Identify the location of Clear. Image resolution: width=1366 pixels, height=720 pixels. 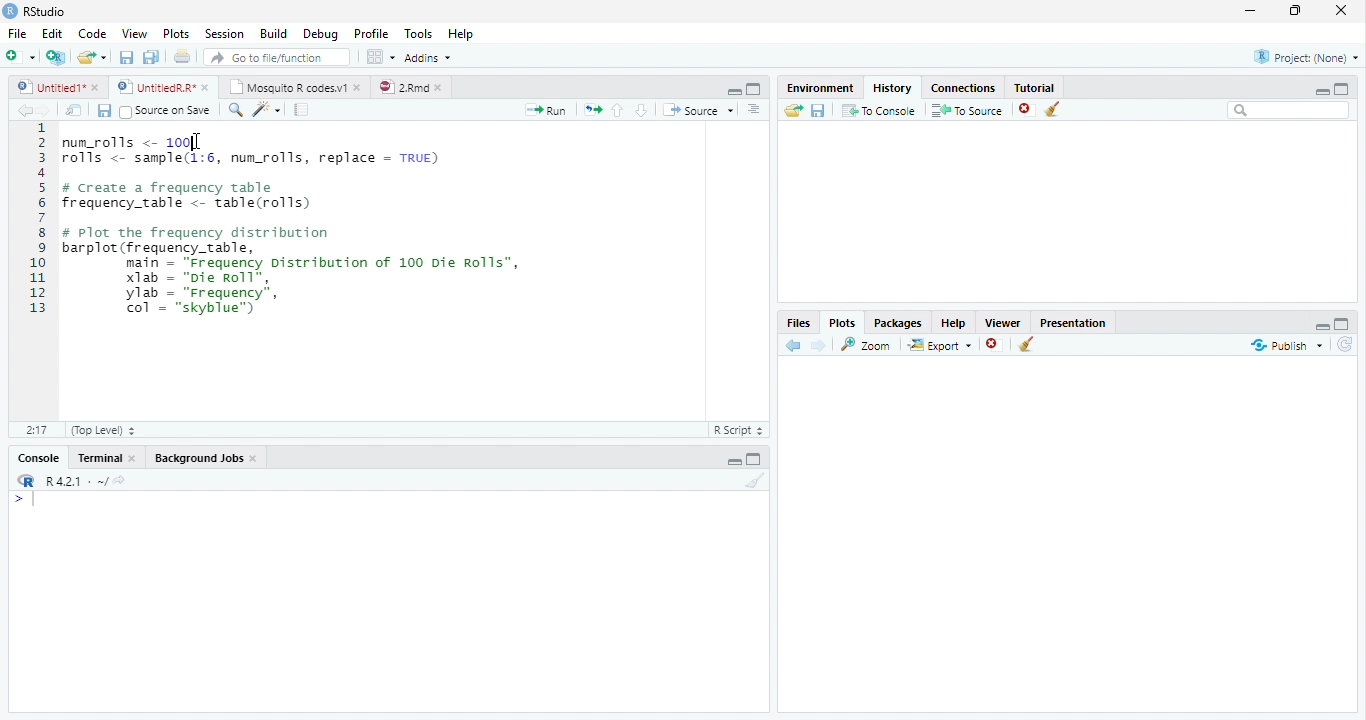
(1026, 344).